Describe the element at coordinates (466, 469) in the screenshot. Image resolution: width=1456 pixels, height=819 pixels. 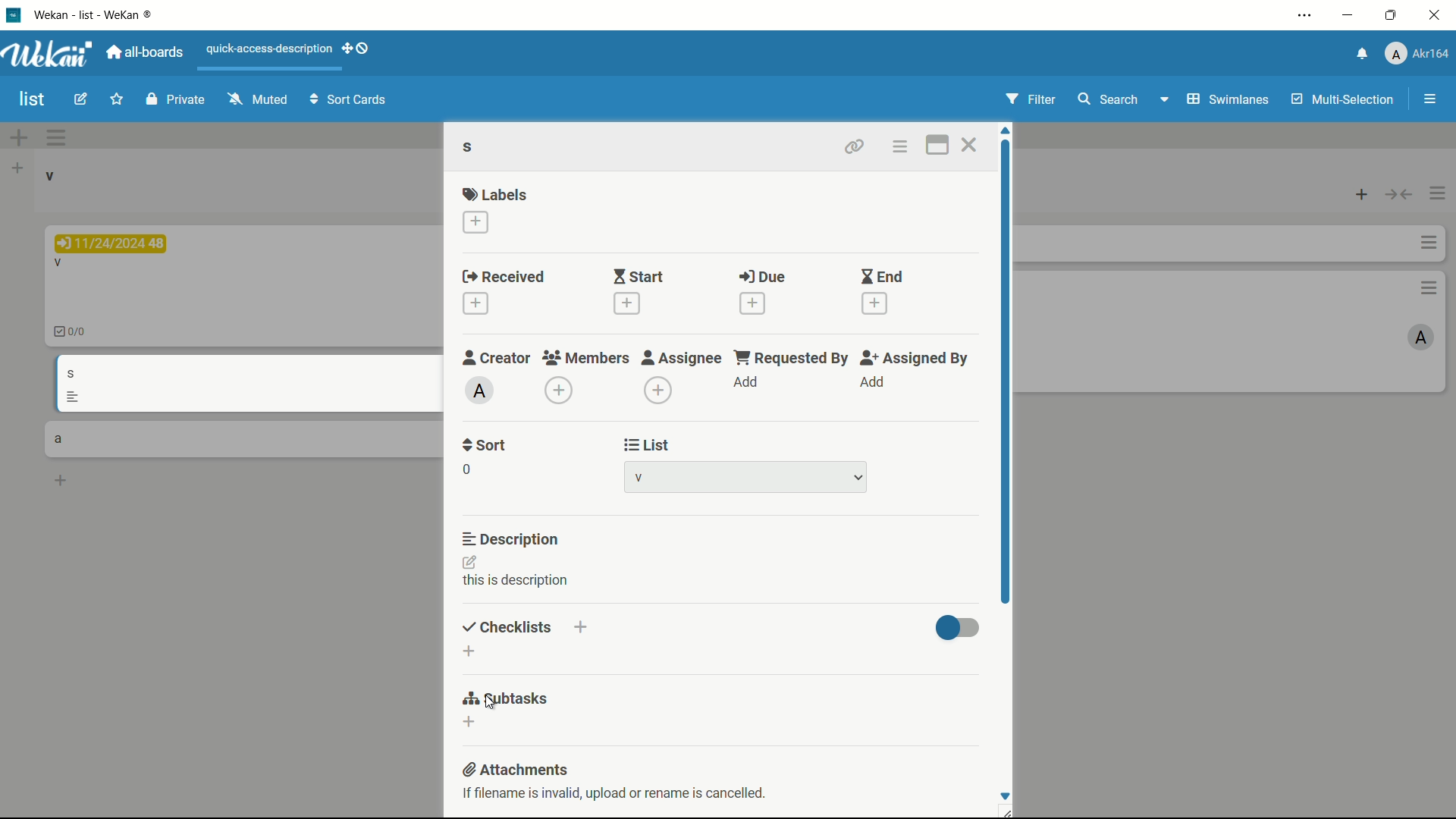
I see `sort number` at that location.